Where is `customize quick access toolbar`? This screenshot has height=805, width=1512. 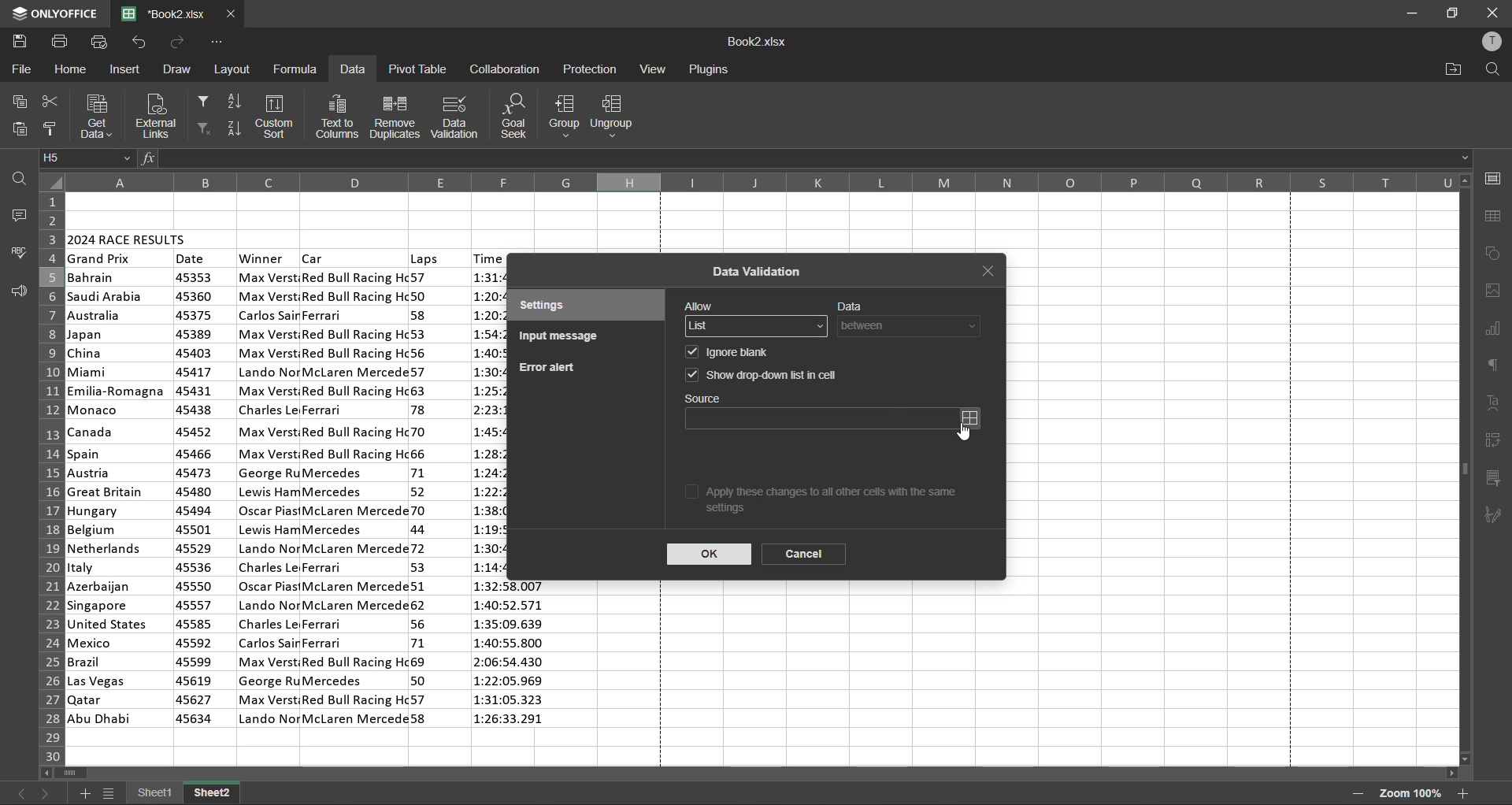 customize quick access toolbar is located at coordinates (215, 43).